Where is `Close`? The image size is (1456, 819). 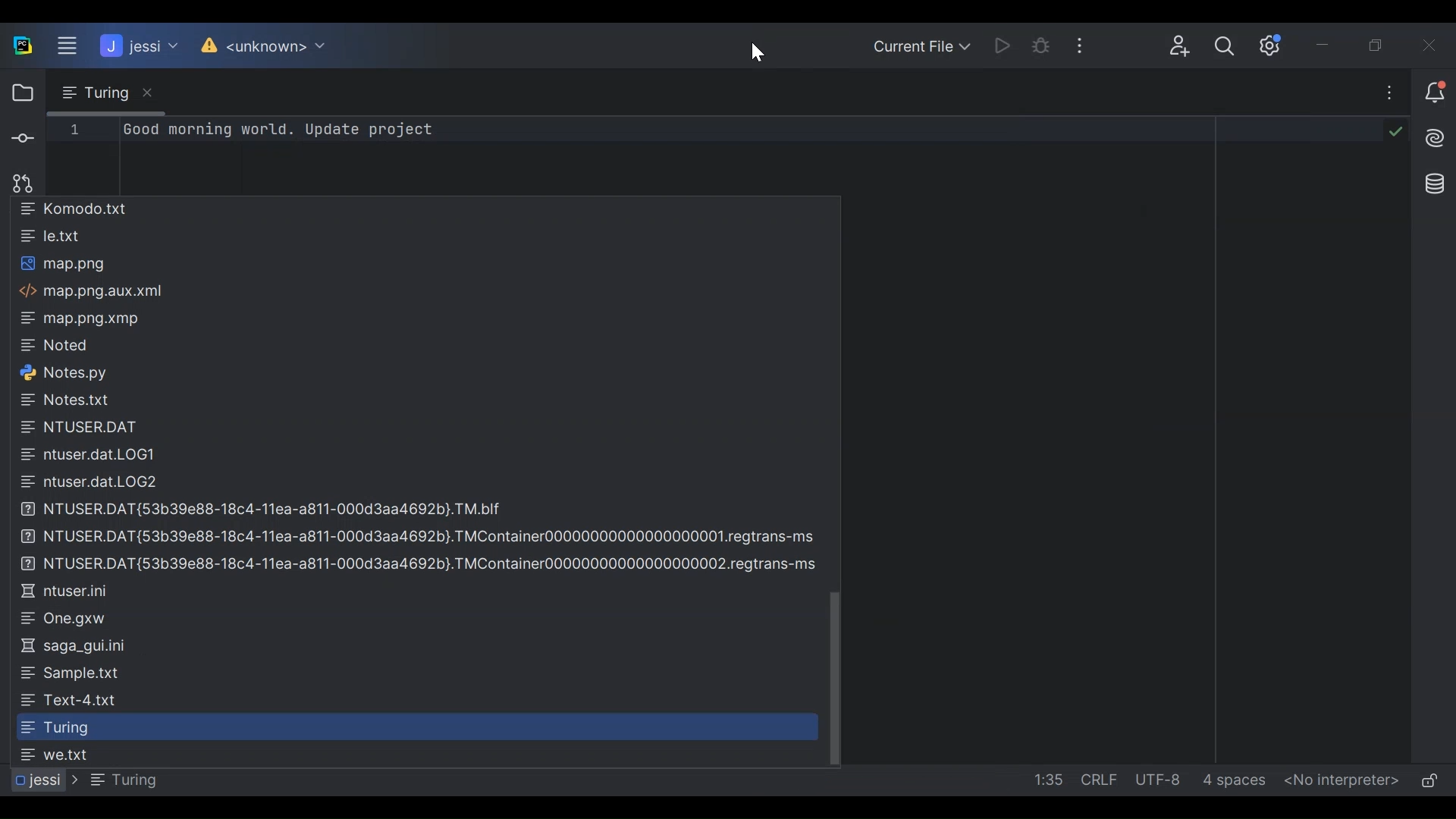 Close is located at coordinates (1435, 45).